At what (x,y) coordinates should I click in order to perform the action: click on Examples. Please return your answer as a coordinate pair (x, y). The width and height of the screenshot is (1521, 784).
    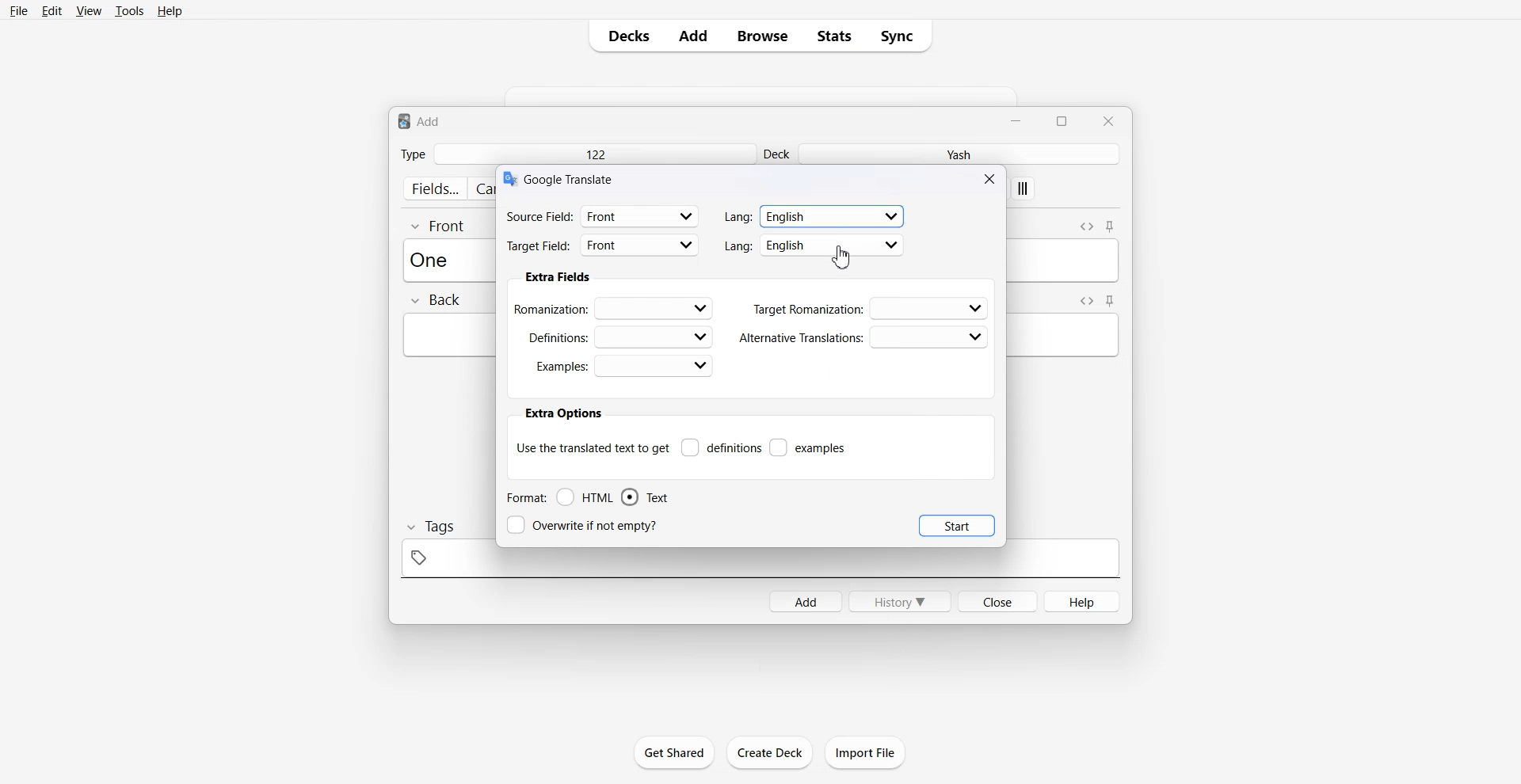
    Looking at the image, I should click on (623, 366).